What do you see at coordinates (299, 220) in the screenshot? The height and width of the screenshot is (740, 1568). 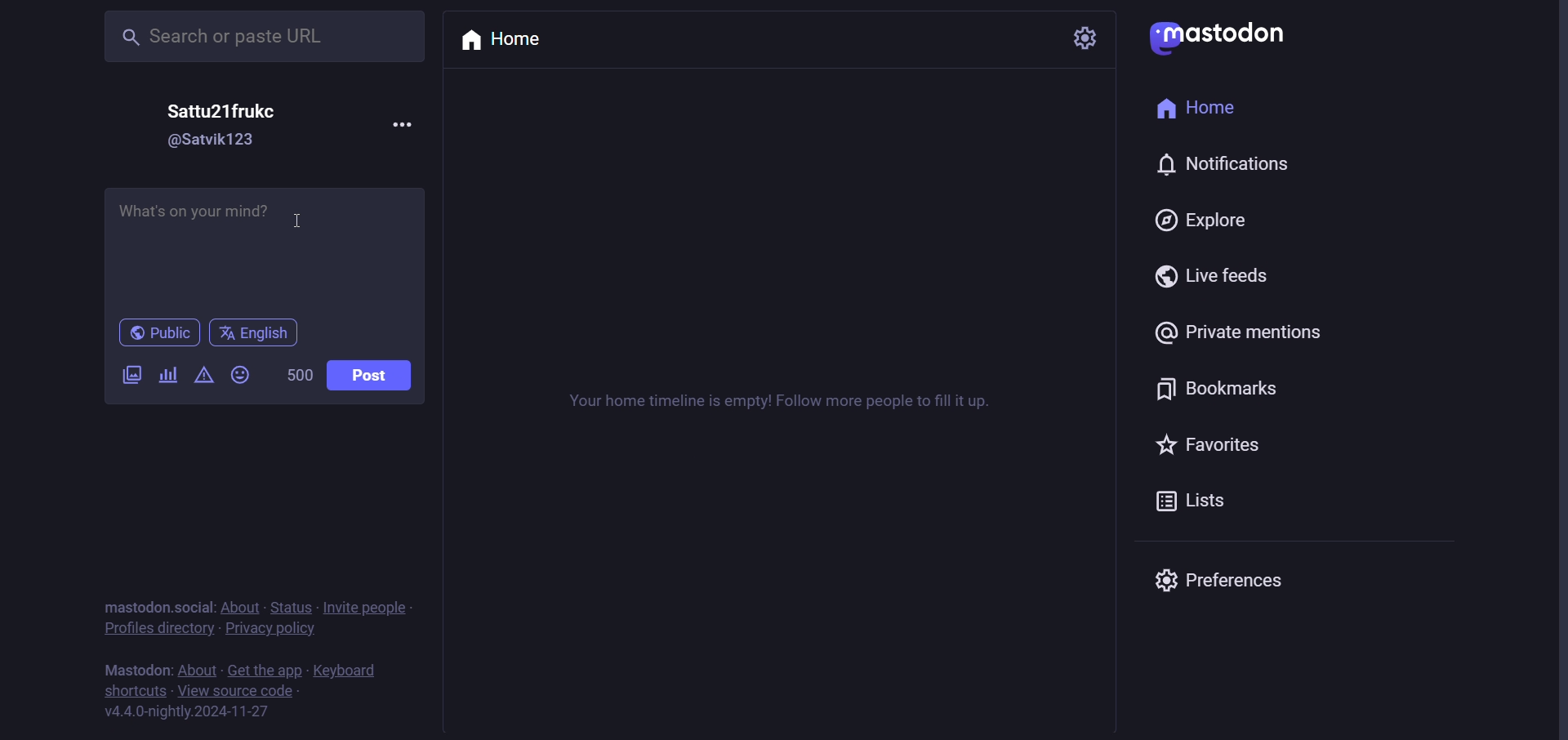 I see `cursor` at bounding box center [299, 220].